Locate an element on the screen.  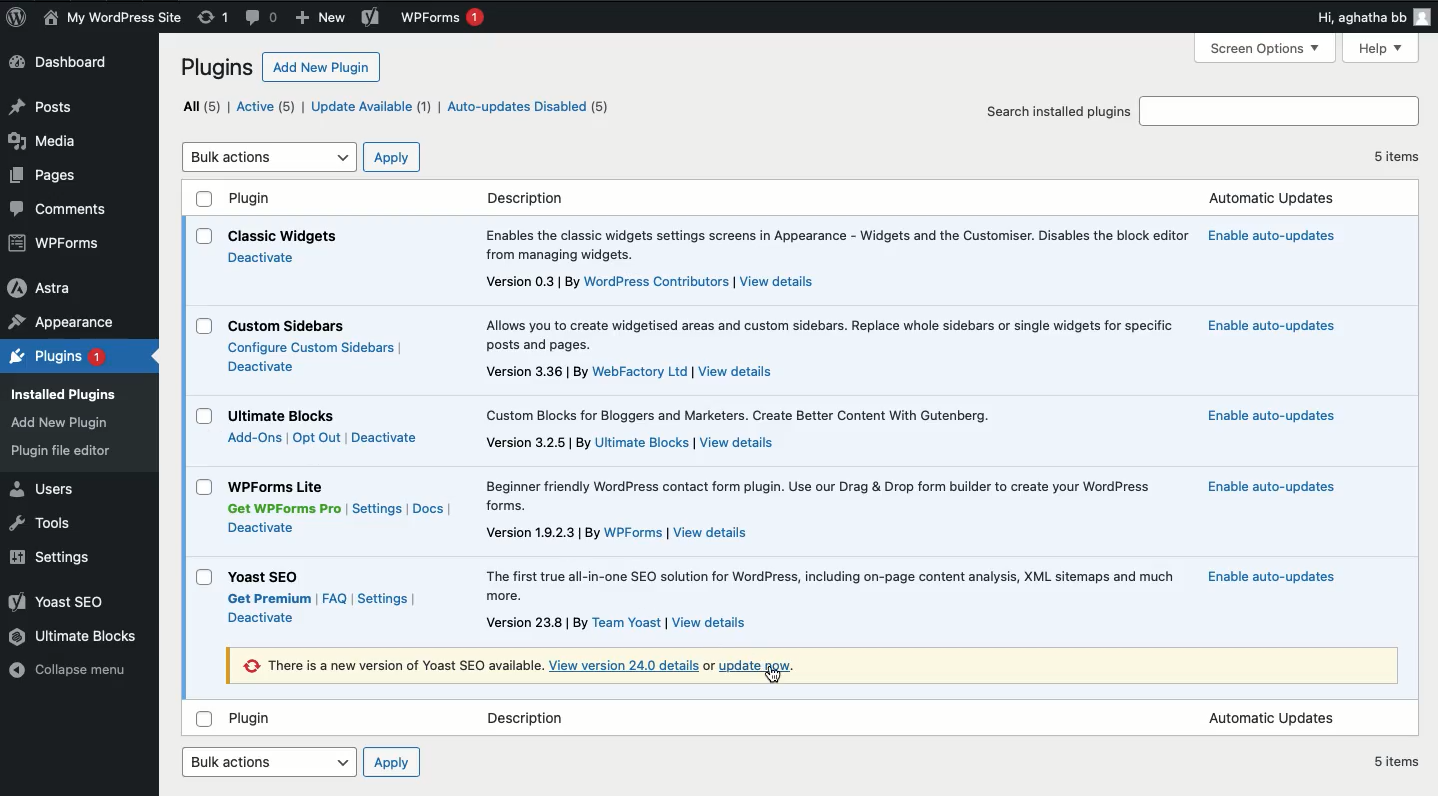
Checkbox is located at coordinates (205, 416).